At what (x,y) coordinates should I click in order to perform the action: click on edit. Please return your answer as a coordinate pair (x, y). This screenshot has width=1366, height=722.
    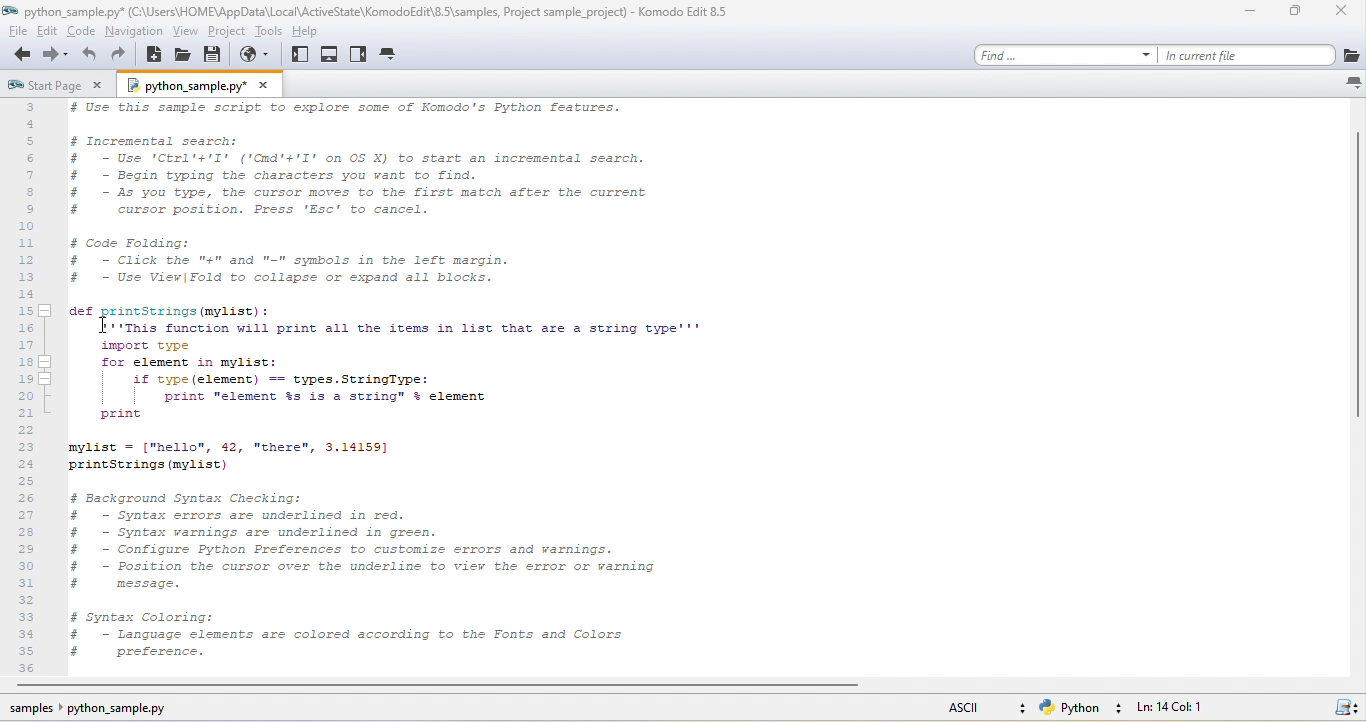
    Looking at the image, I should click on (50, 33).